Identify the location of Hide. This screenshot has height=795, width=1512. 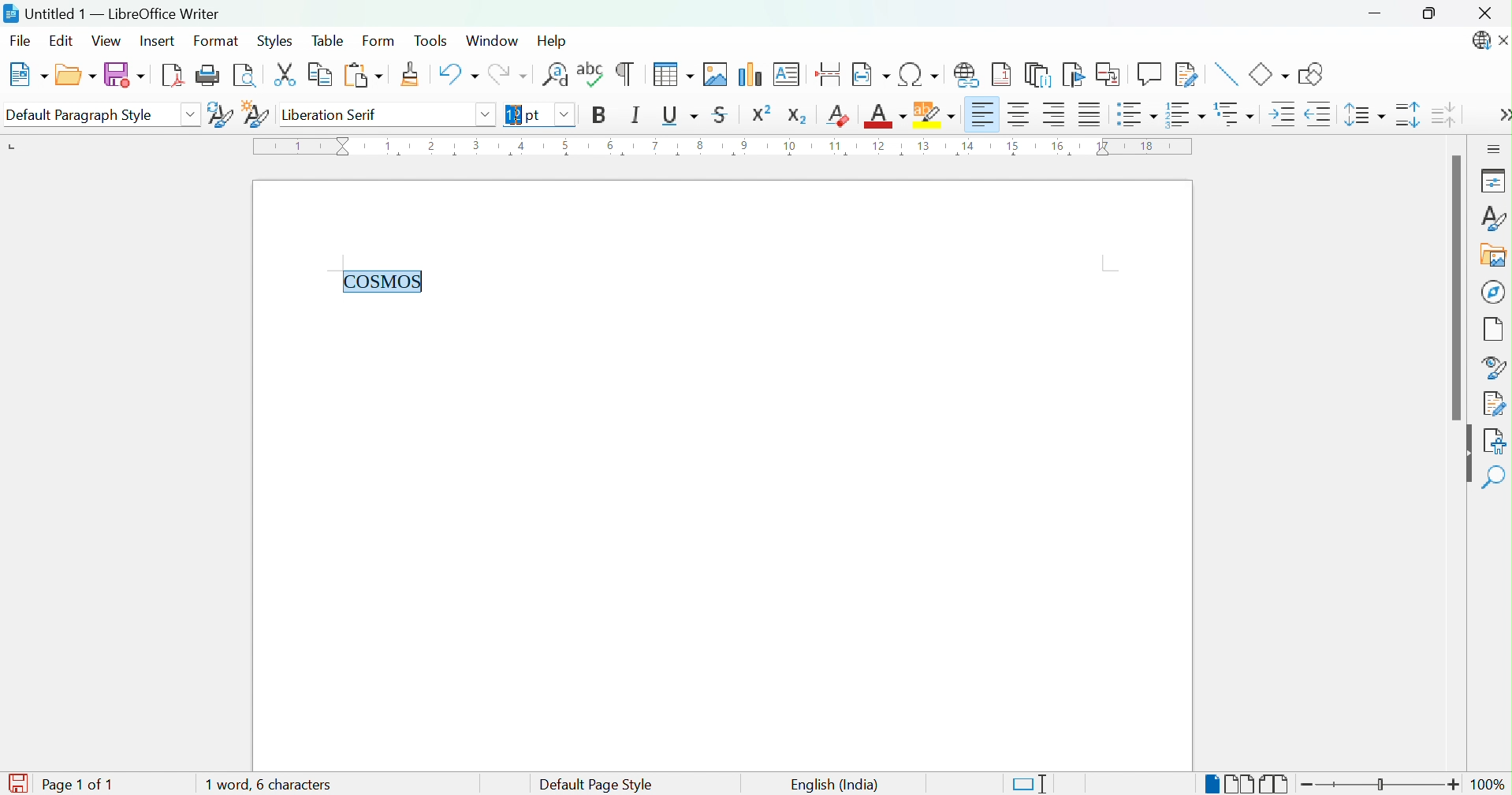
(1464, 456).